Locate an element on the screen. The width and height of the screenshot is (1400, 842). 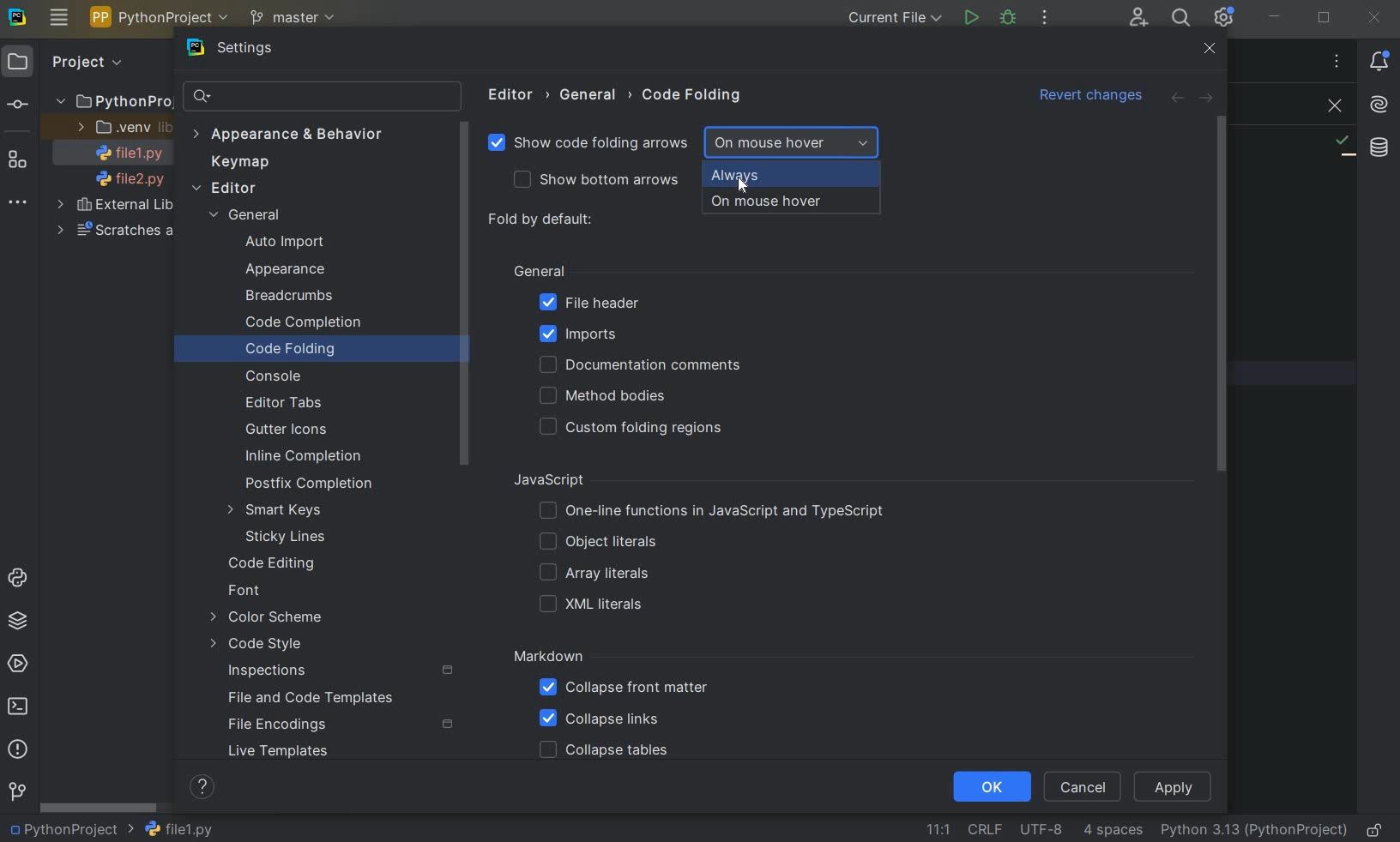
XML LITERALS is located at coordinates (594, 606).